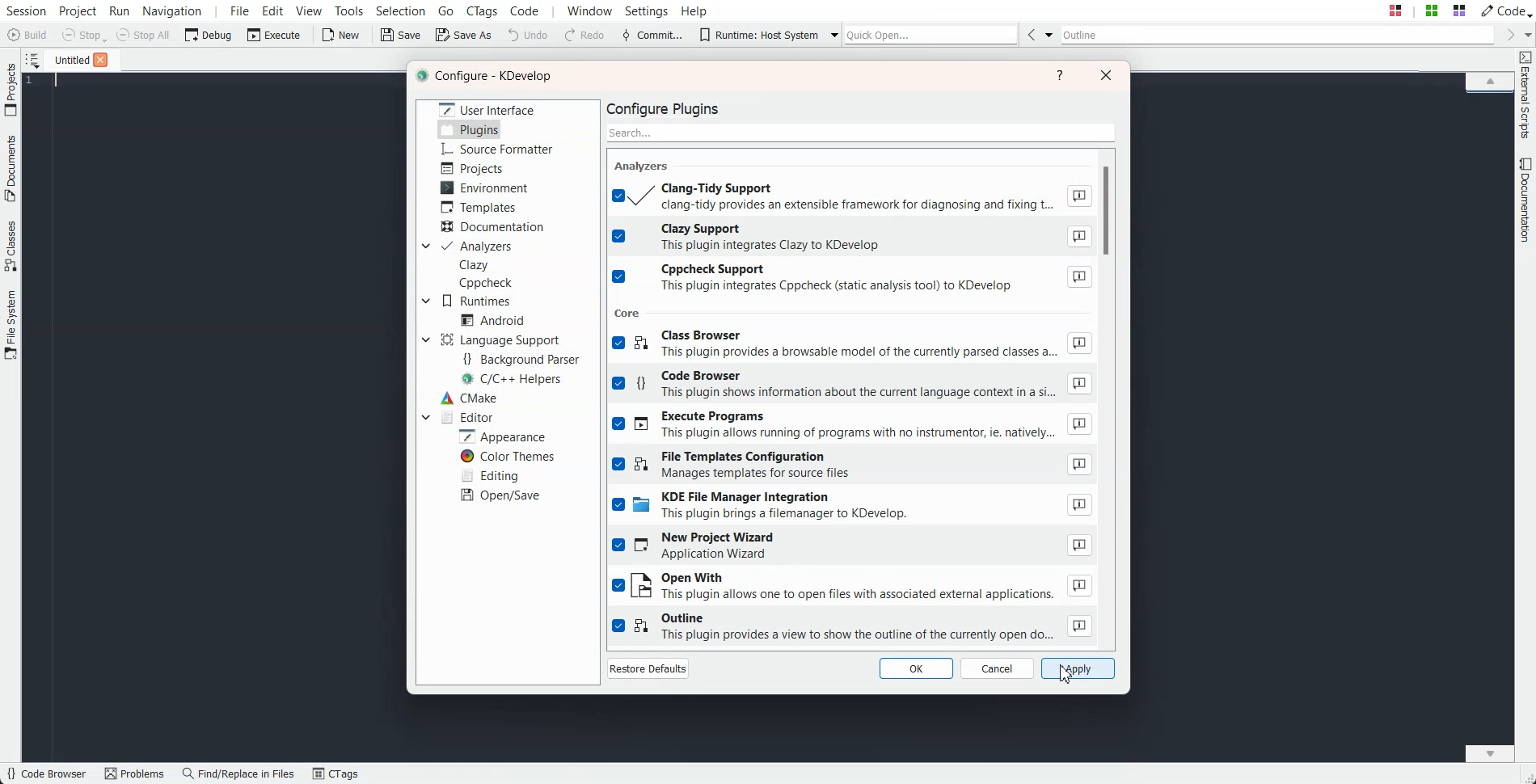 The height and width of the screenshot is (784, 1536). Describe the element at coordinates (1078, 196) in the screenshot. I see `About` at that location.